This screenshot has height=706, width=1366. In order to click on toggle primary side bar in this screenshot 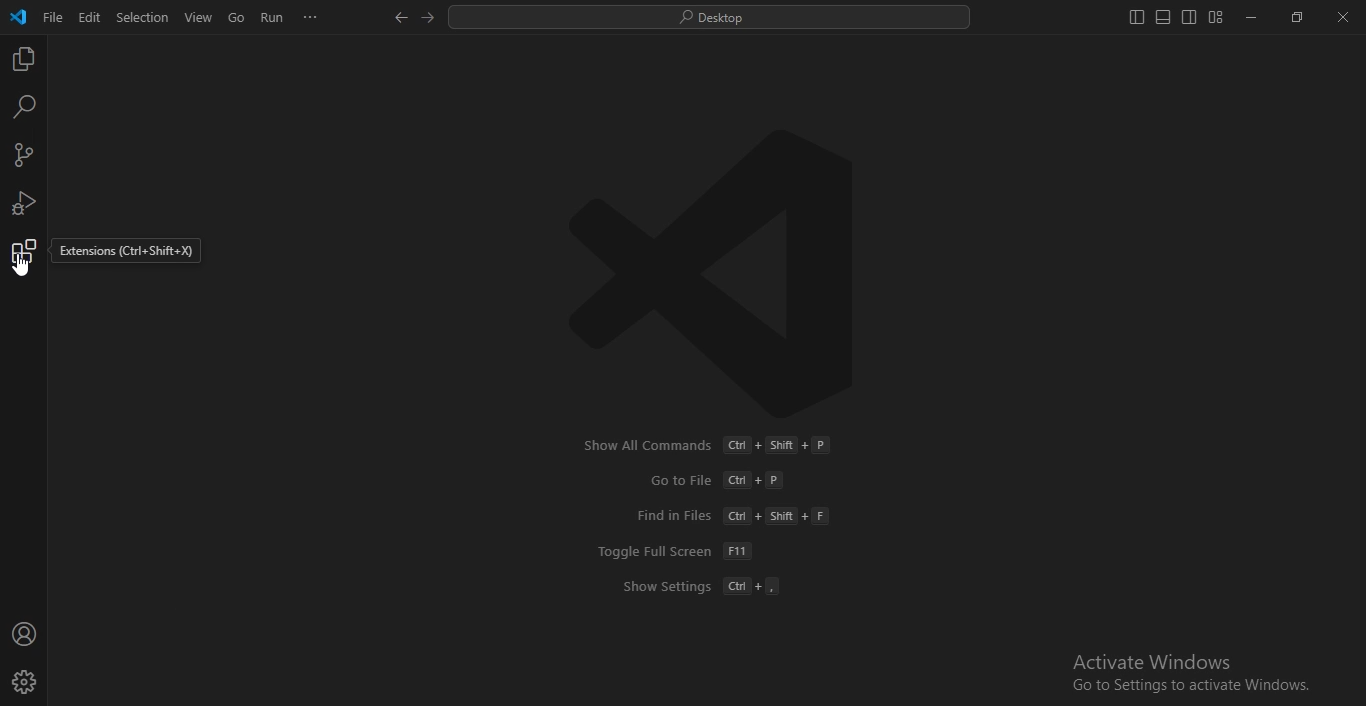, I will do `click(1134, 18)`.